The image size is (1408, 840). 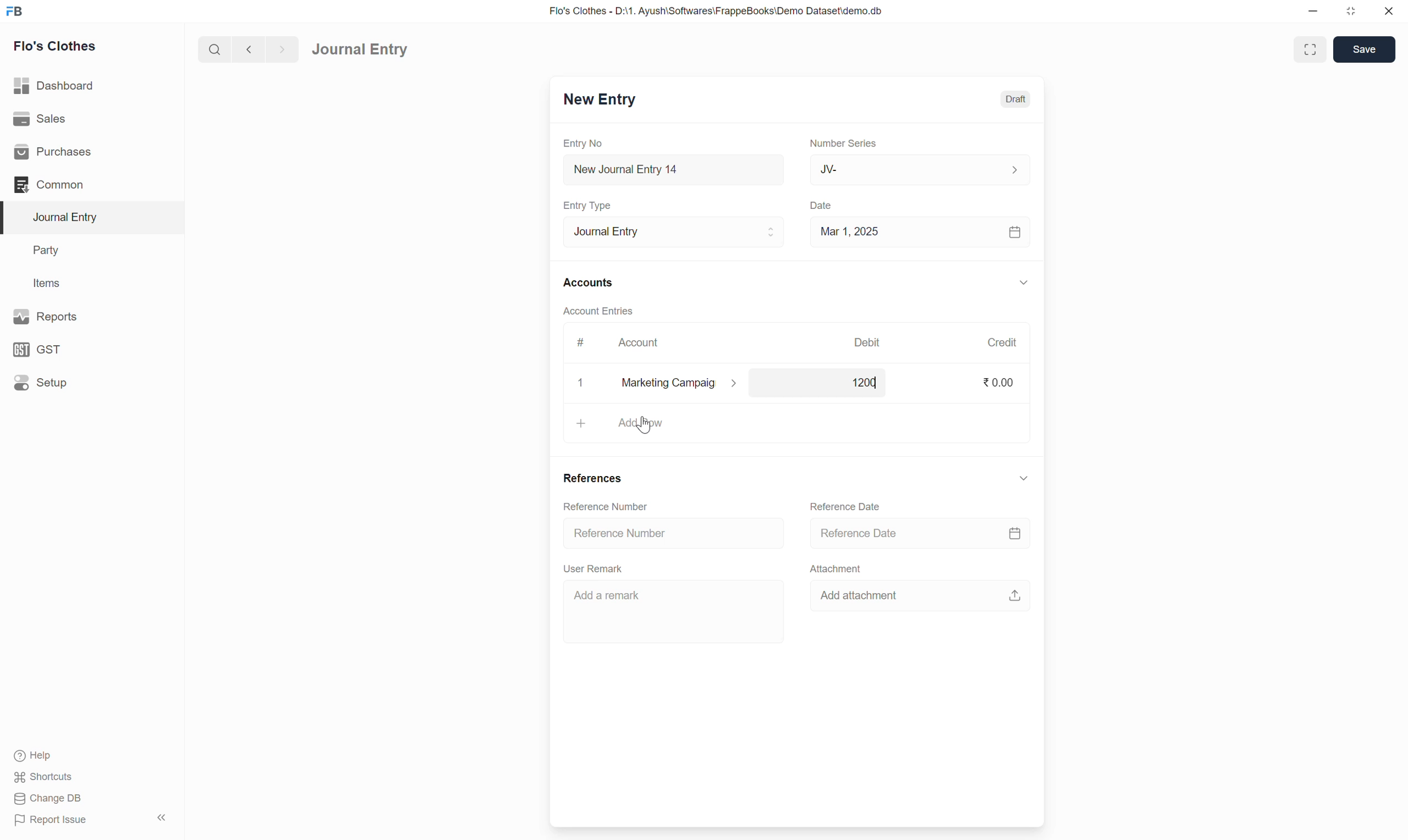 I want to click on Common, so click(x=50, y=185).